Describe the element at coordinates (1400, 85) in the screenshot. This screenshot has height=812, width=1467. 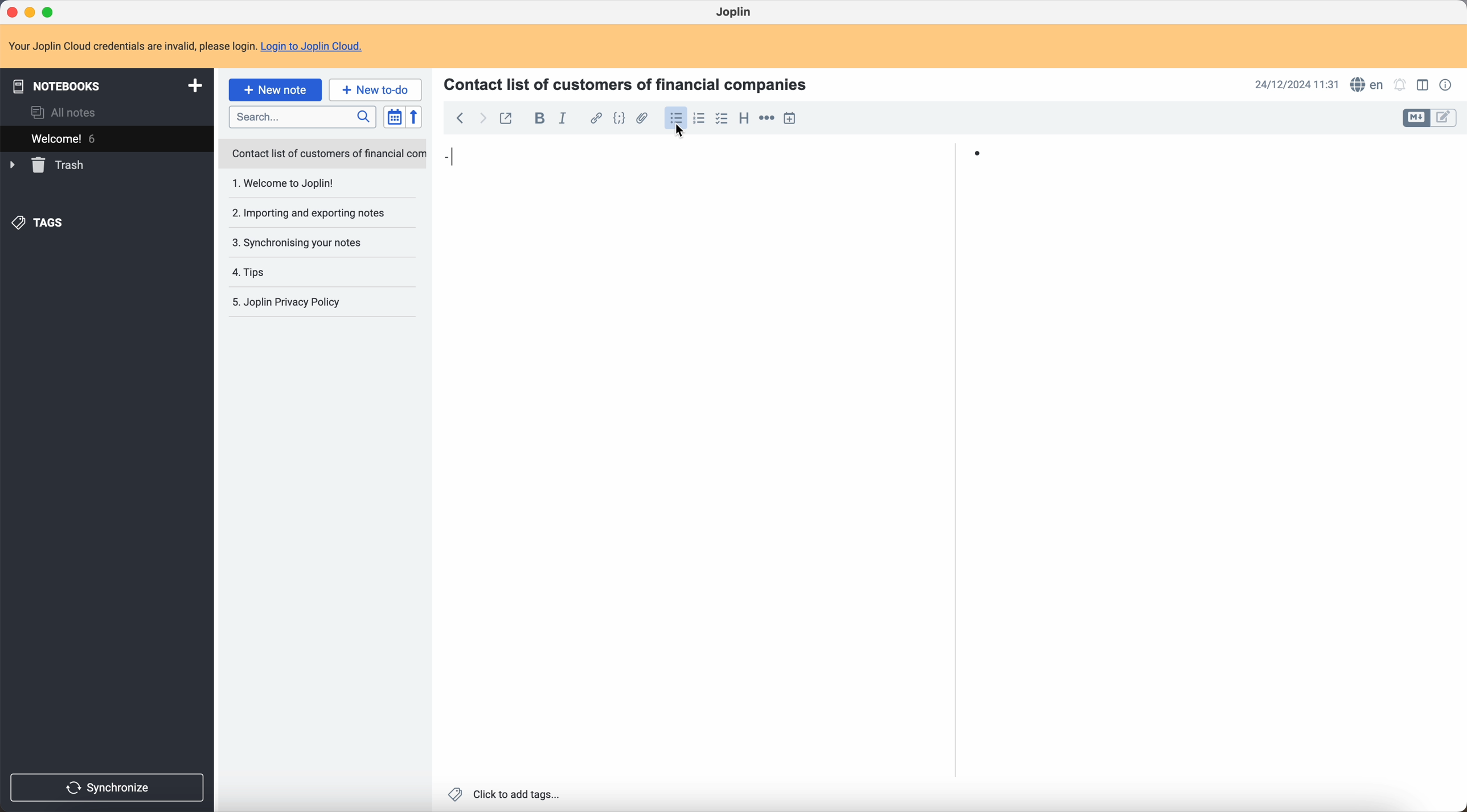
I see `set notifications` at that location.